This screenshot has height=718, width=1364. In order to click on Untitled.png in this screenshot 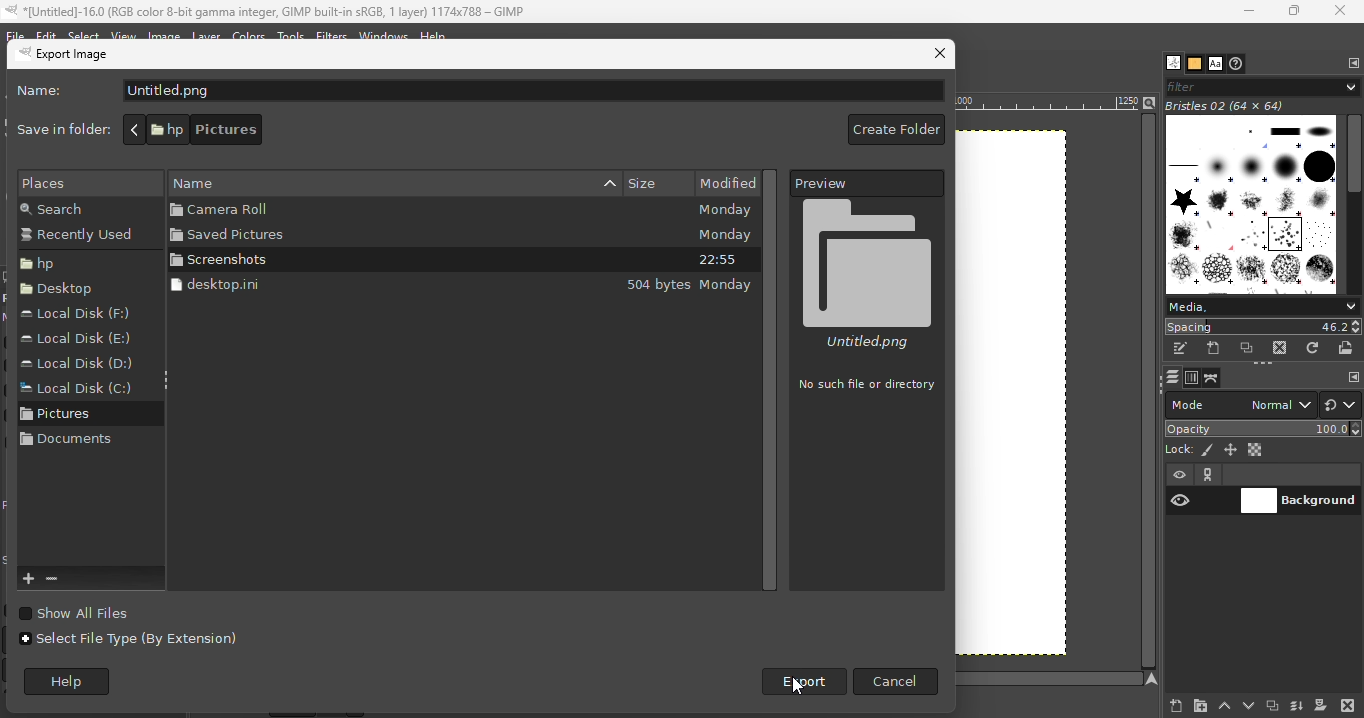, I will do `click(869, 274)`.